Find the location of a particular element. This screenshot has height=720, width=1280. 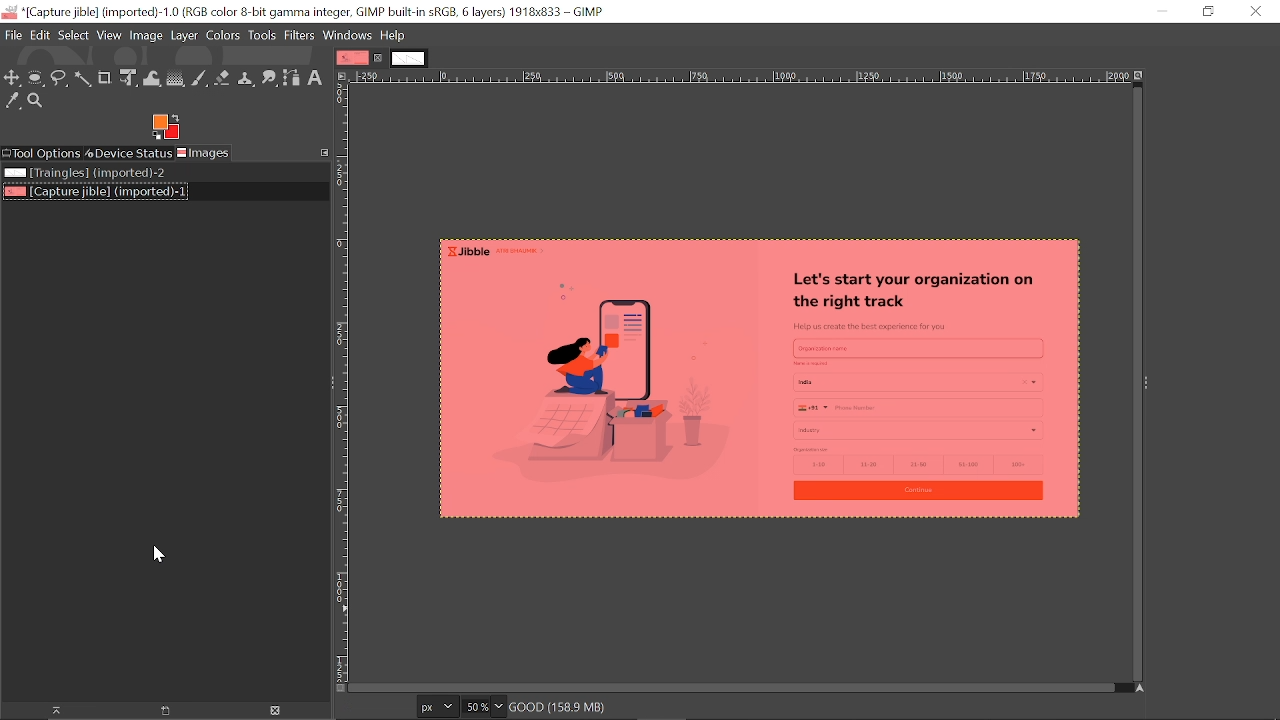

Restore down is located at coordinates (1207, 13).